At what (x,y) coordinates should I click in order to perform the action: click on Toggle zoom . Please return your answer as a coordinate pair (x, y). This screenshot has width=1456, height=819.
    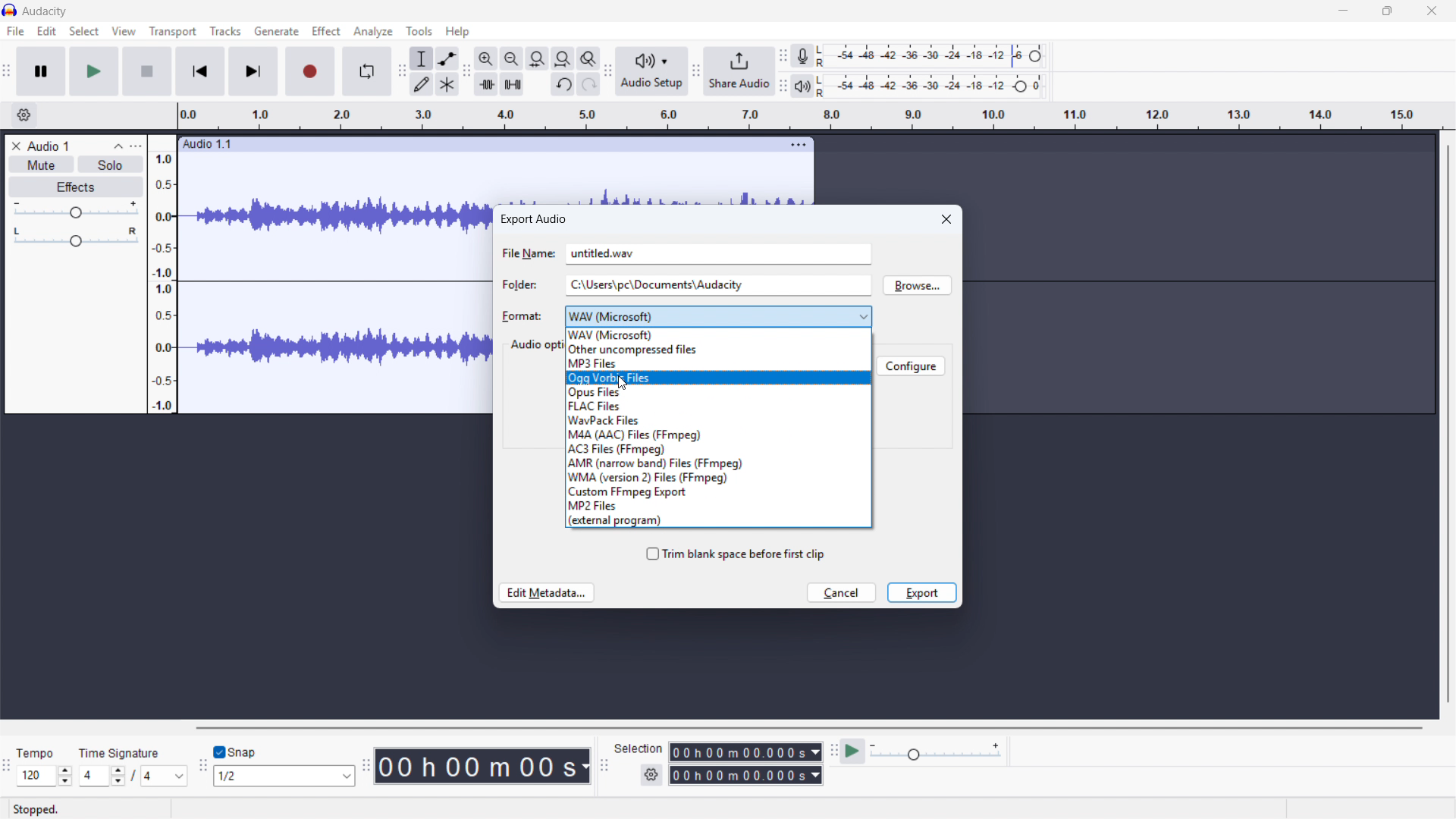
    Looking at the image, I should click on (588, 58).